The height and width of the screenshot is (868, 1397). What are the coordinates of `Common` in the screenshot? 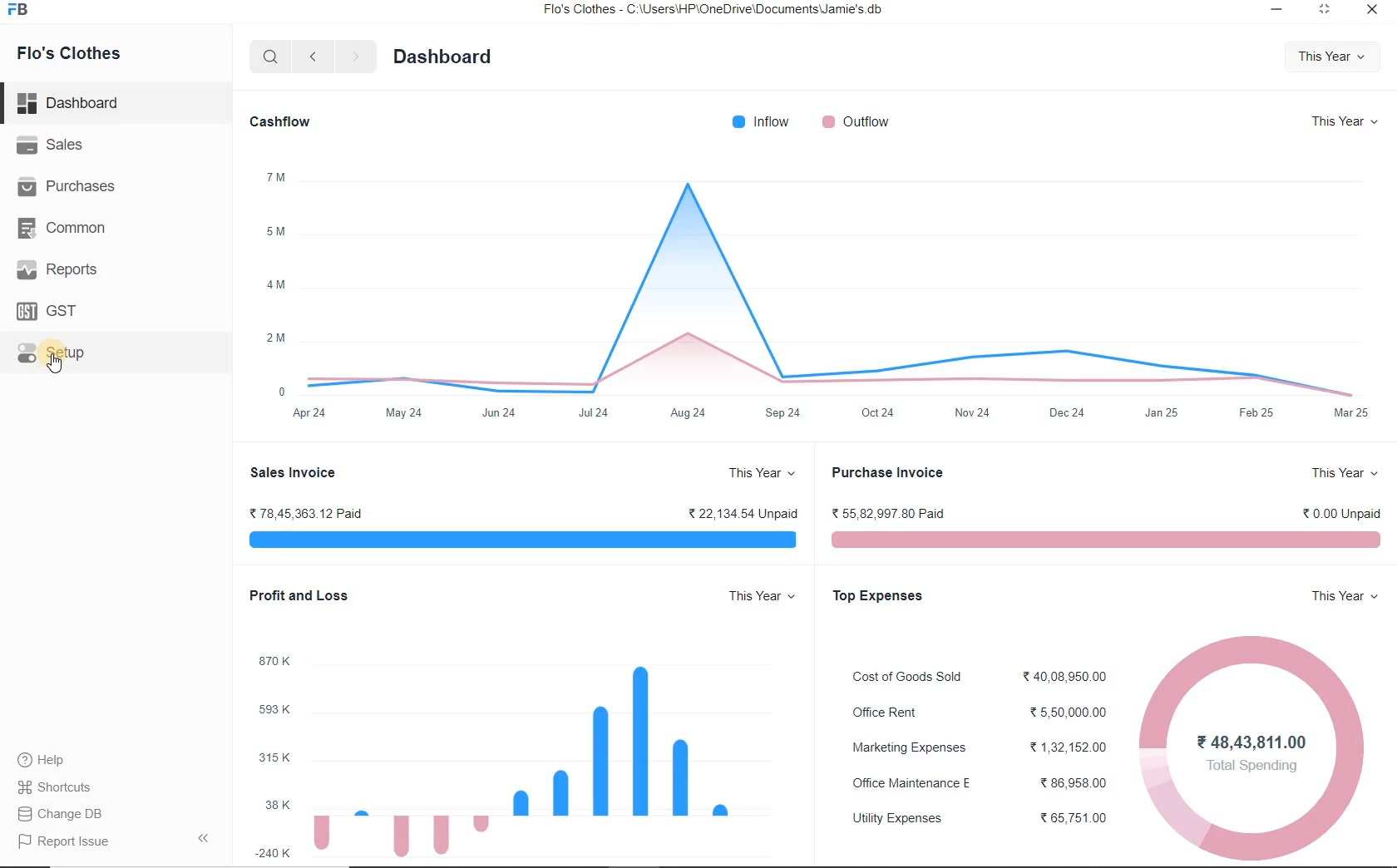 It's located at (66, 229).